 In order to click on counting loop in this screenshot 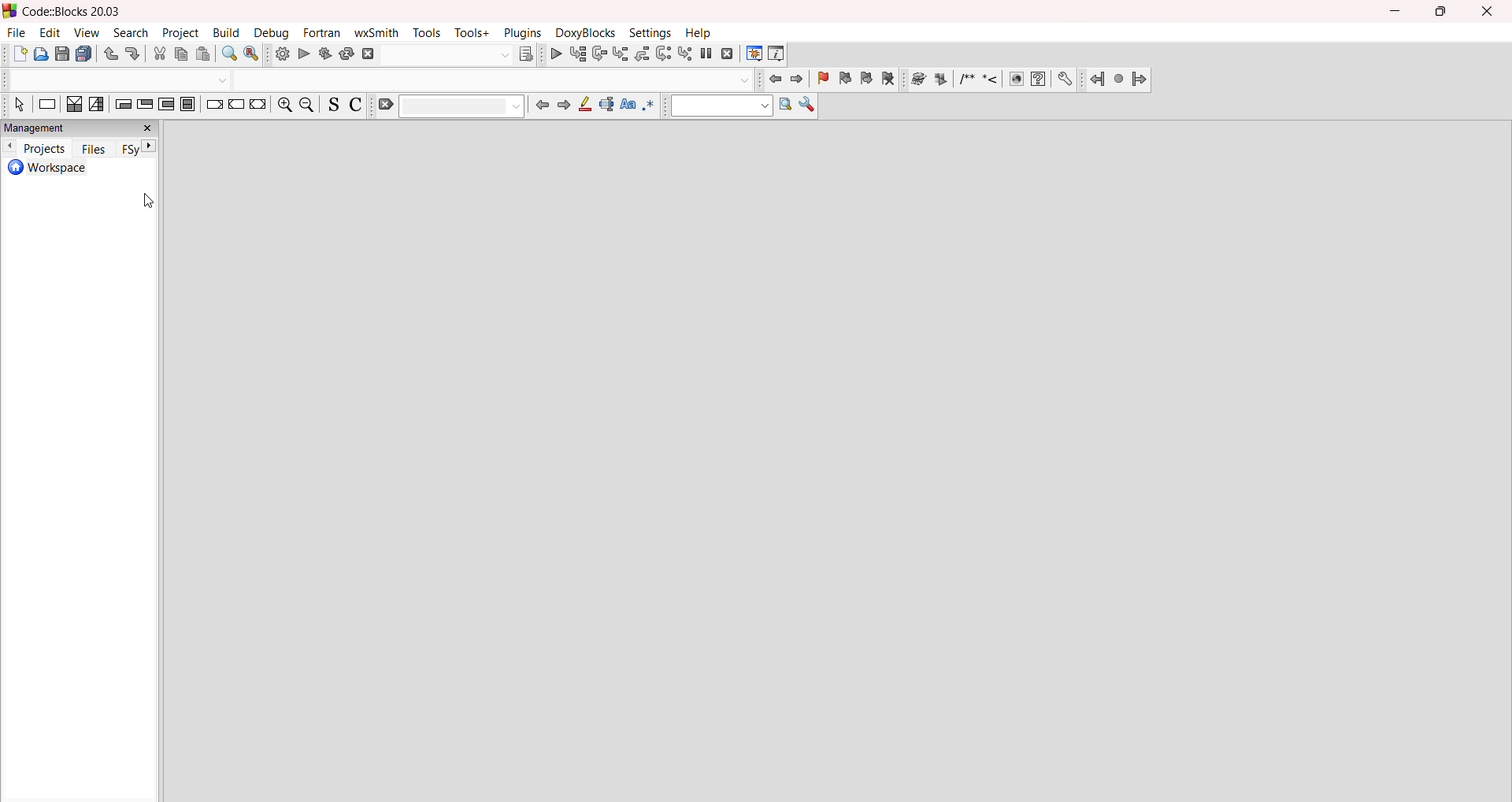, I will do `click(165, 106)`.